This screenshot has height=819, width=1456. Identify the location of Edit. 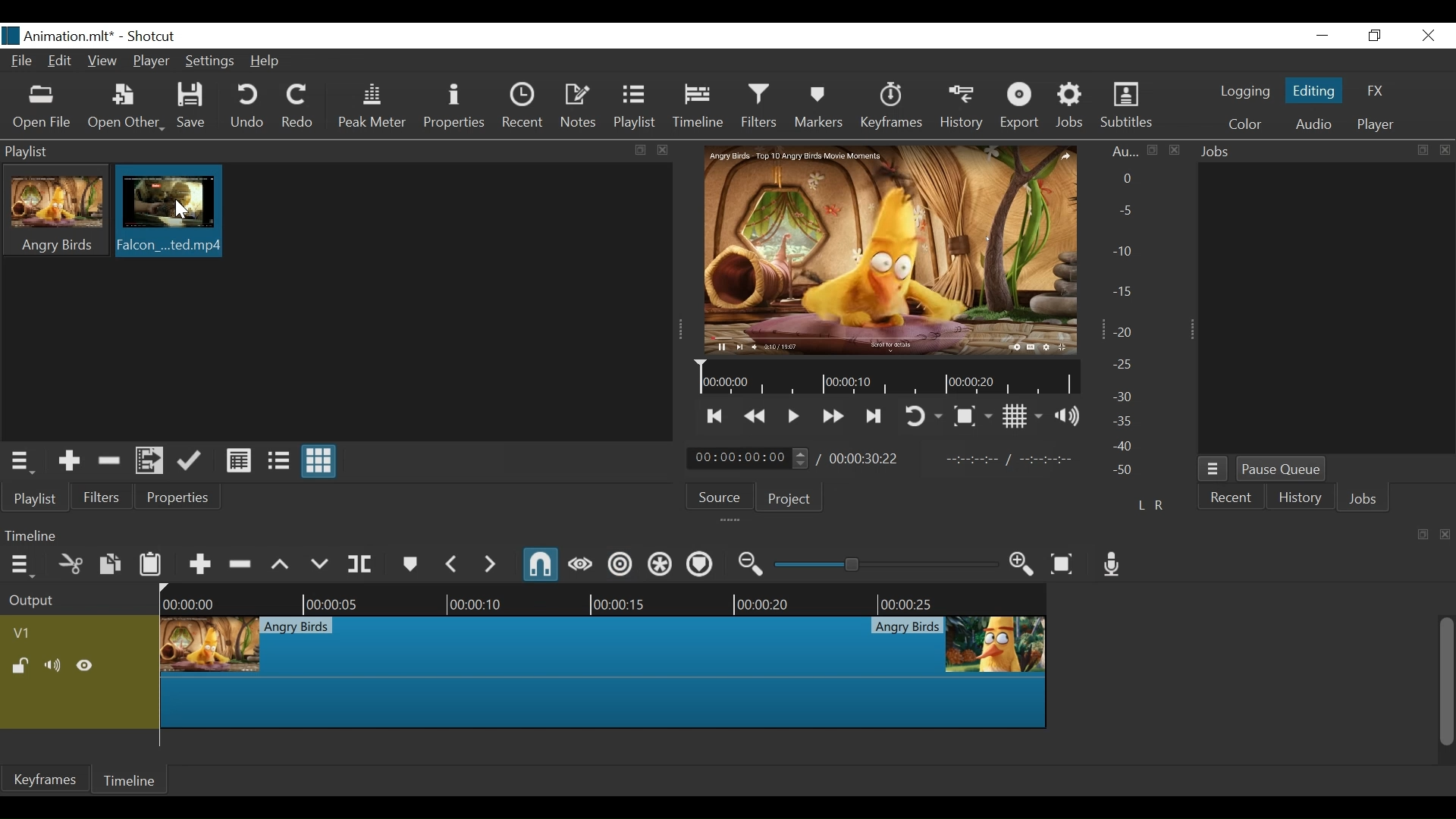
(61, 61).